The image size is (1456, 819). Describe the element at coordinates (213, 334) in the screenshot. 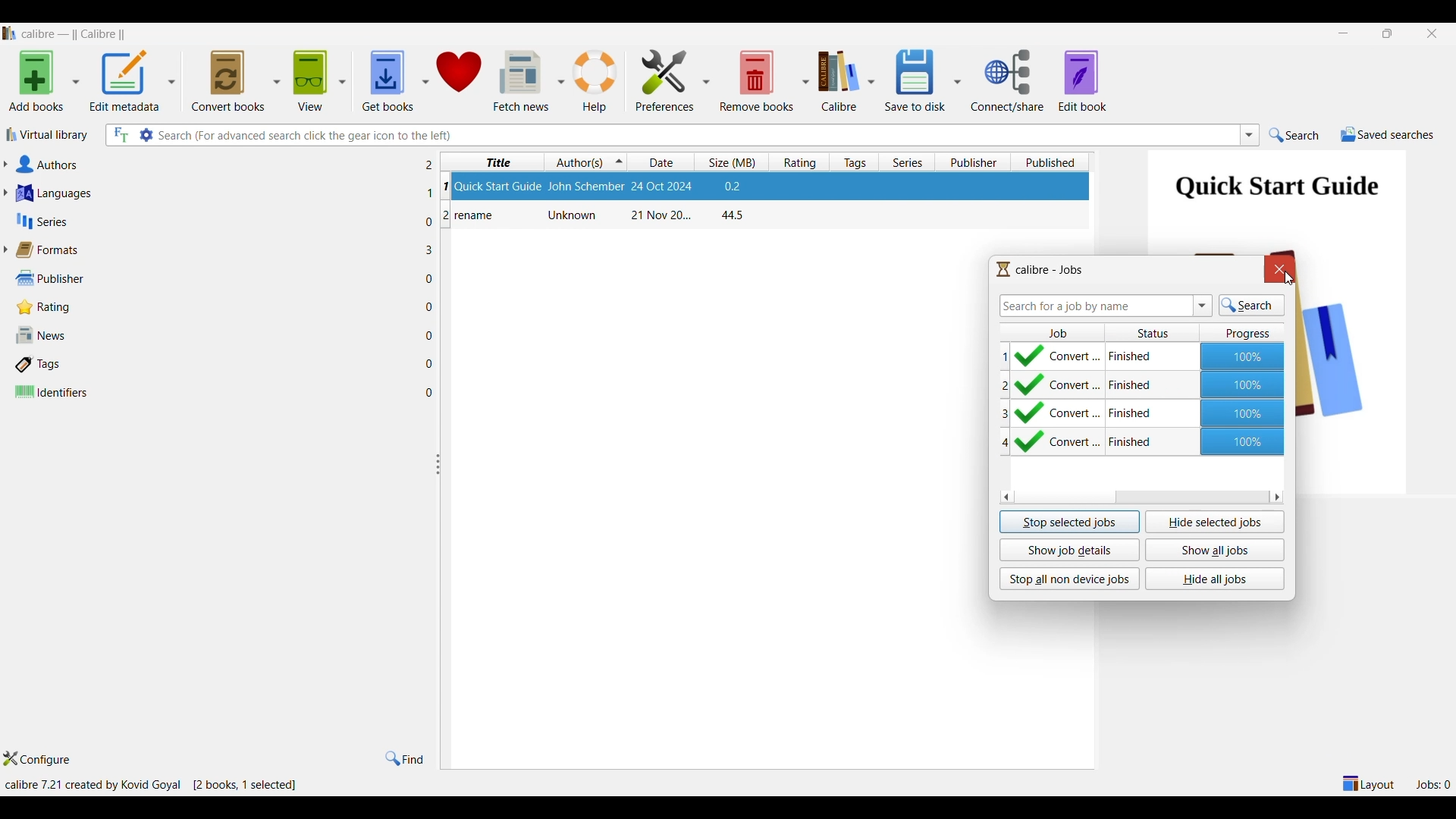

I see `News` at that location.